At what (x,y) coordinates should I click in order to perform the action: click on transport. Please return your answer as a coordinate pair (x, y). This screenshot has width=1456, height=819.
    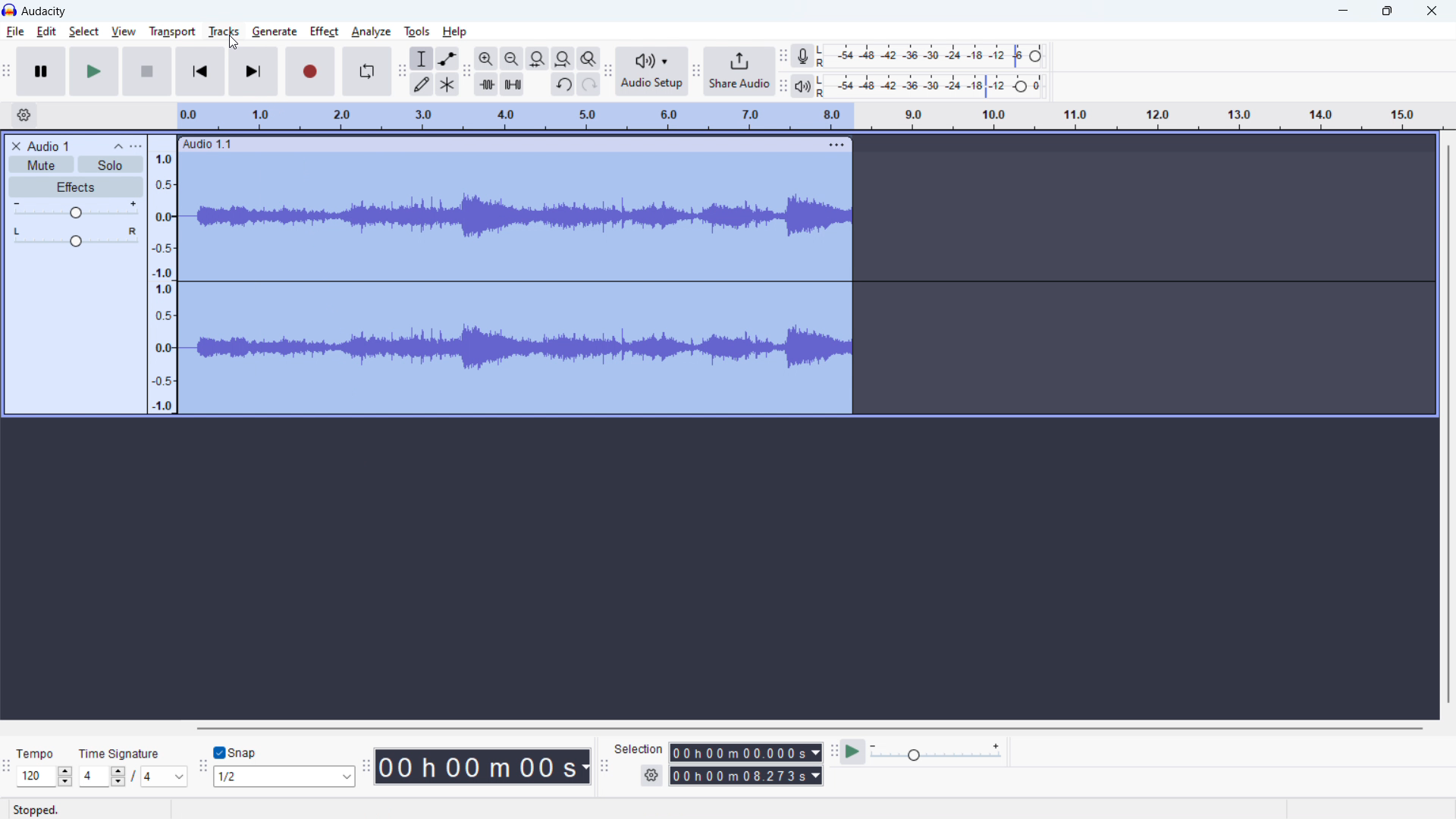
    Looking at the image, I should click on (172, 31).